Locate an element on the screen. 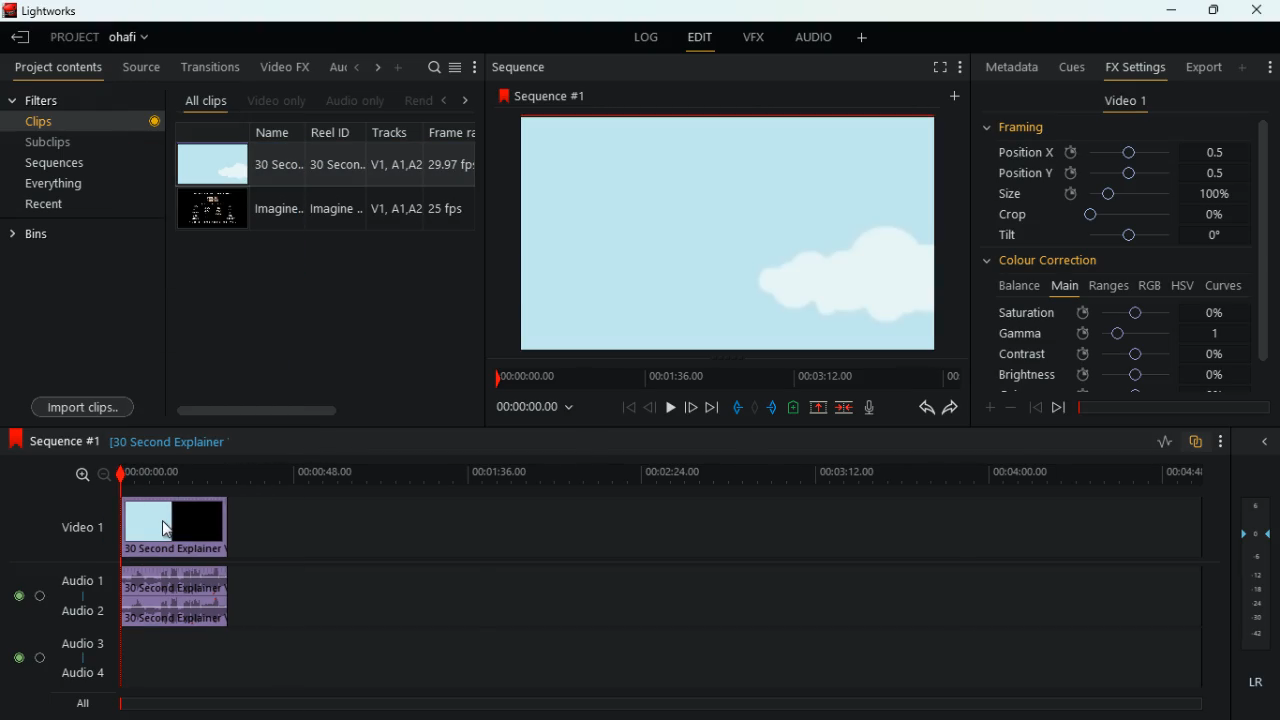 The height and width of the screenshot is (720, 1280). transitions is located at coordinates (206, 67).